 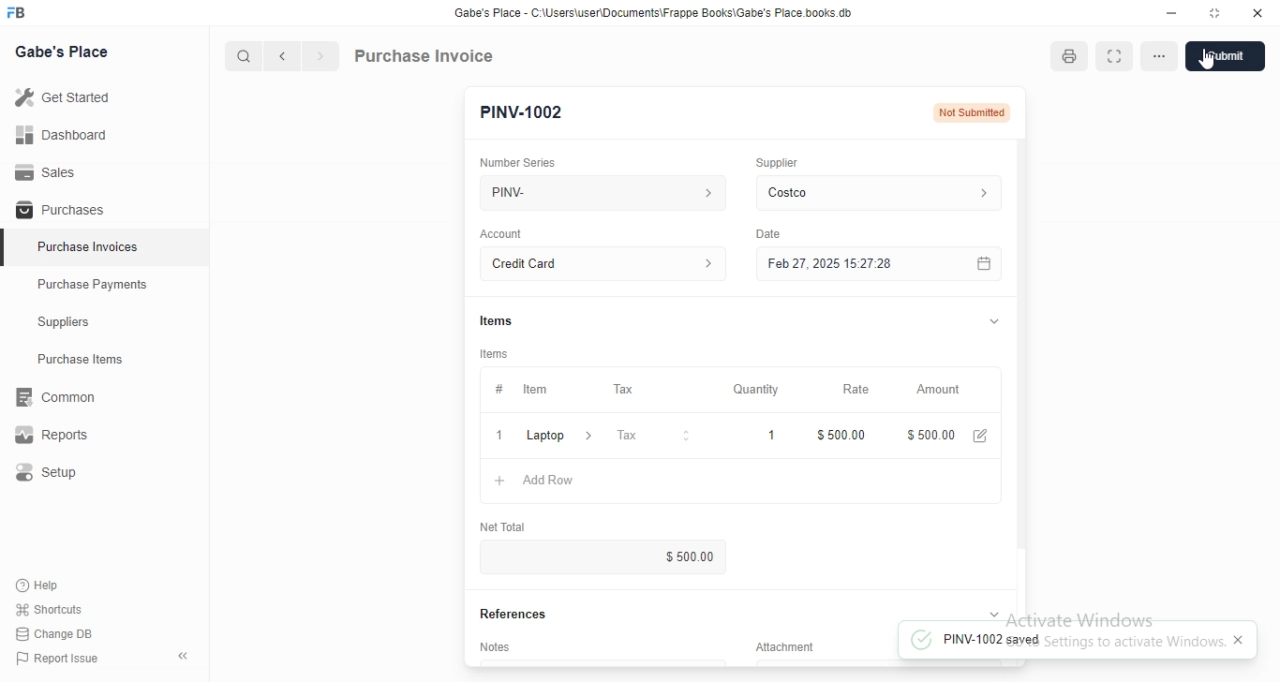 I want to click on Close, so click(x=1238, y=639).